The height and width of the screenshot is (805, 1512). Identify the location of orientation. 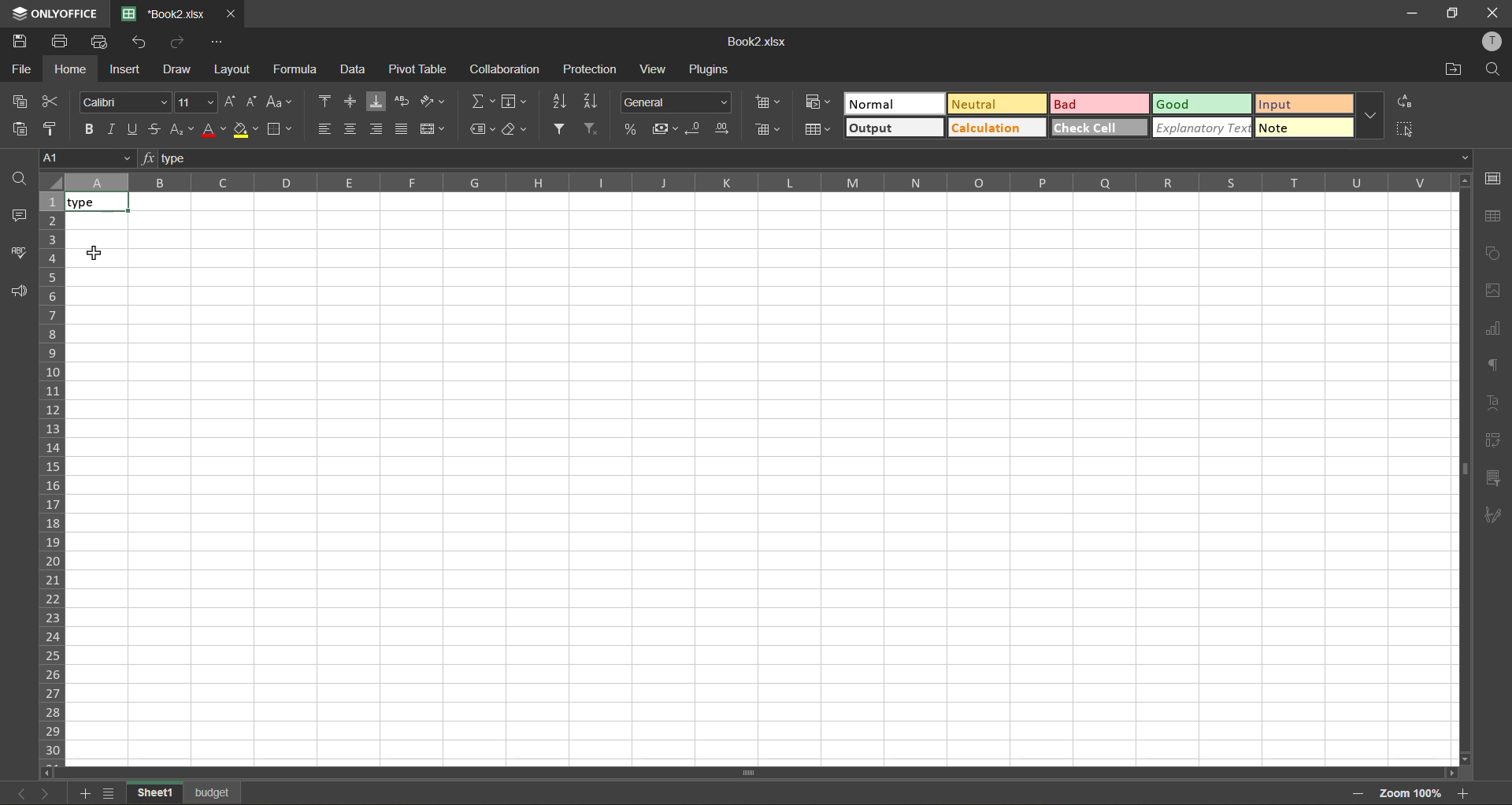
(434, 102).